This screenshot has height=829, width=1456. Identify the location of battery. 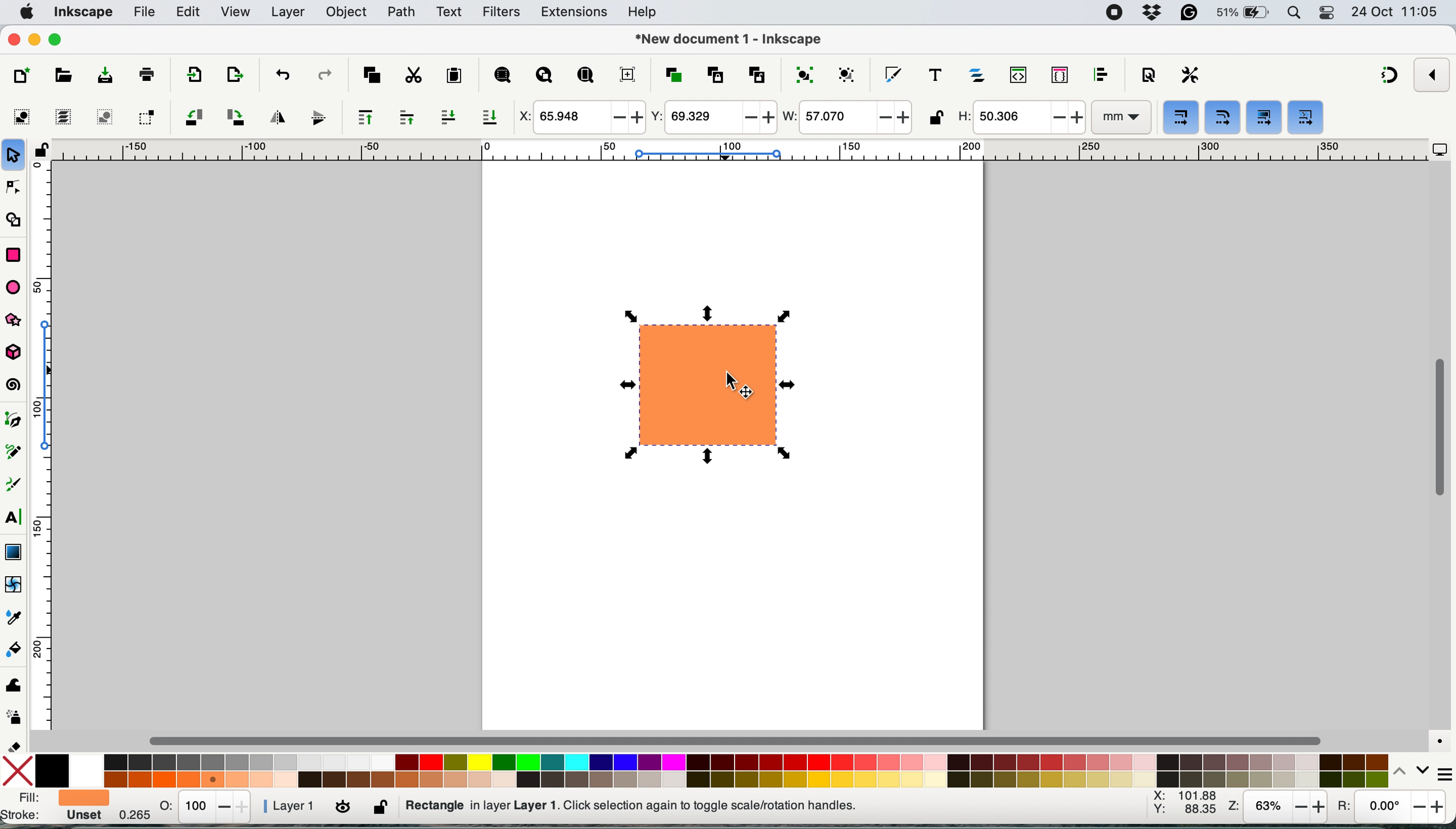
(1244, 13).